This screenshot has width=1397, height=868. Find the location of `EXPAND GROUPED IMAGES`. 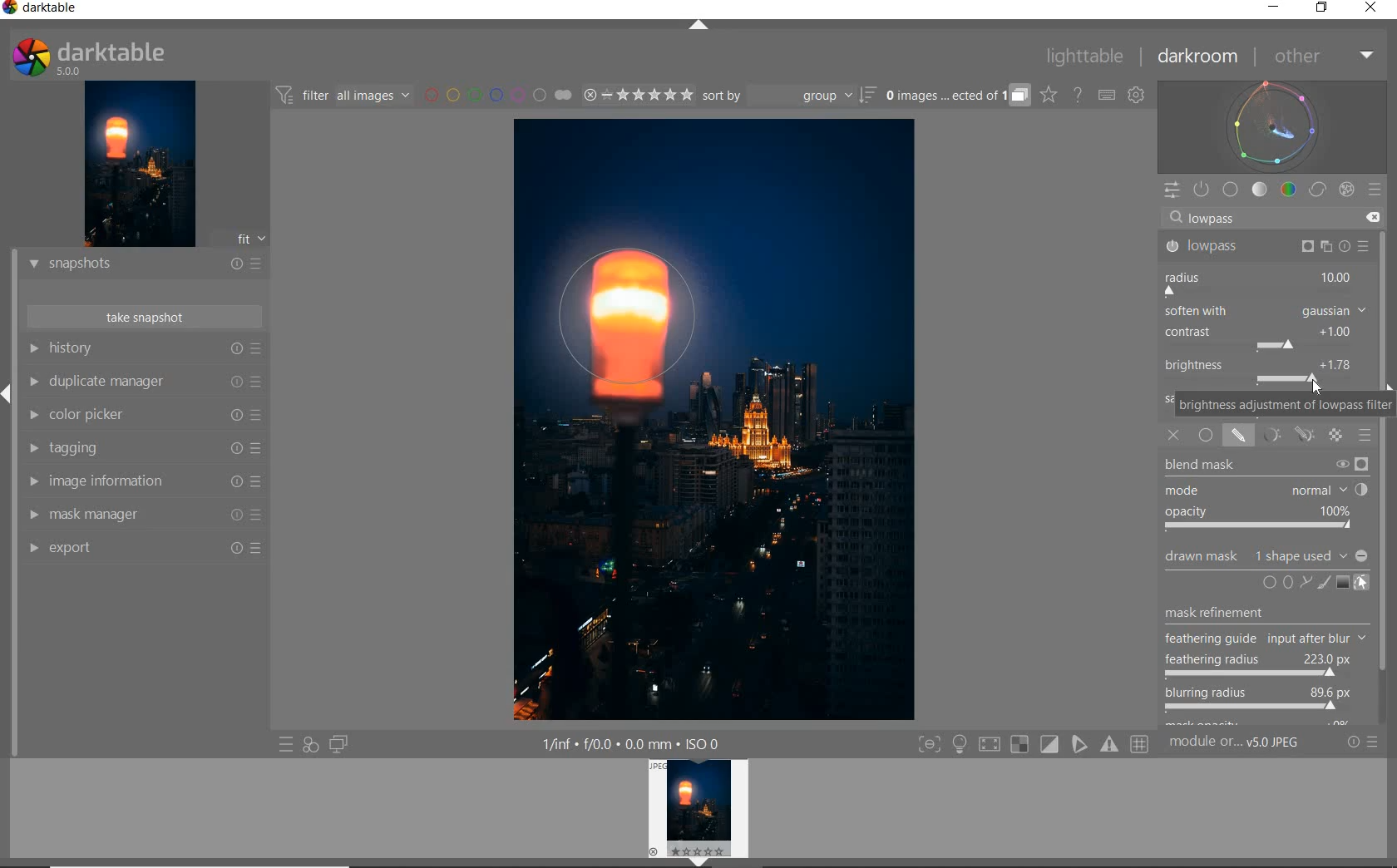

EXPAND GROUPED IMAGES is located at coordinates (955, 96).